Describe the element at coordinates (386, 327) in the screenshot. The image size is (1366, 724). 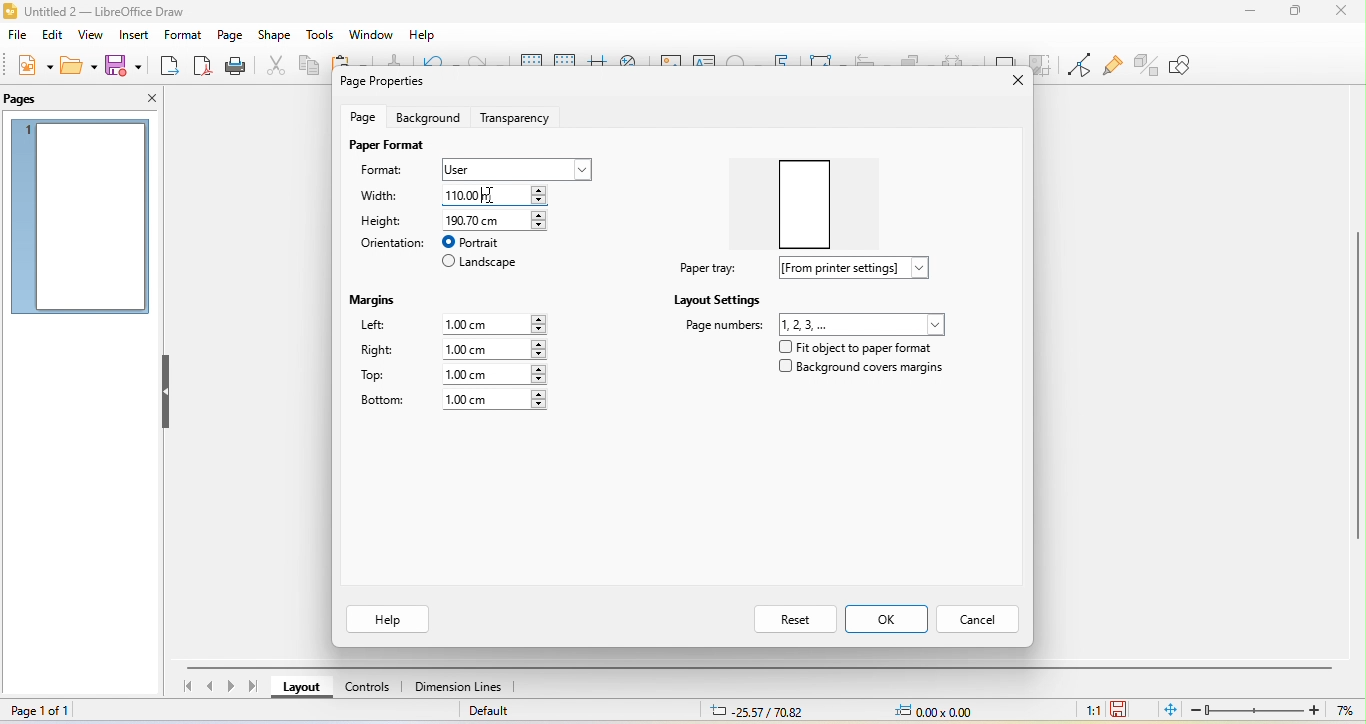
I see `lefr` at that location.